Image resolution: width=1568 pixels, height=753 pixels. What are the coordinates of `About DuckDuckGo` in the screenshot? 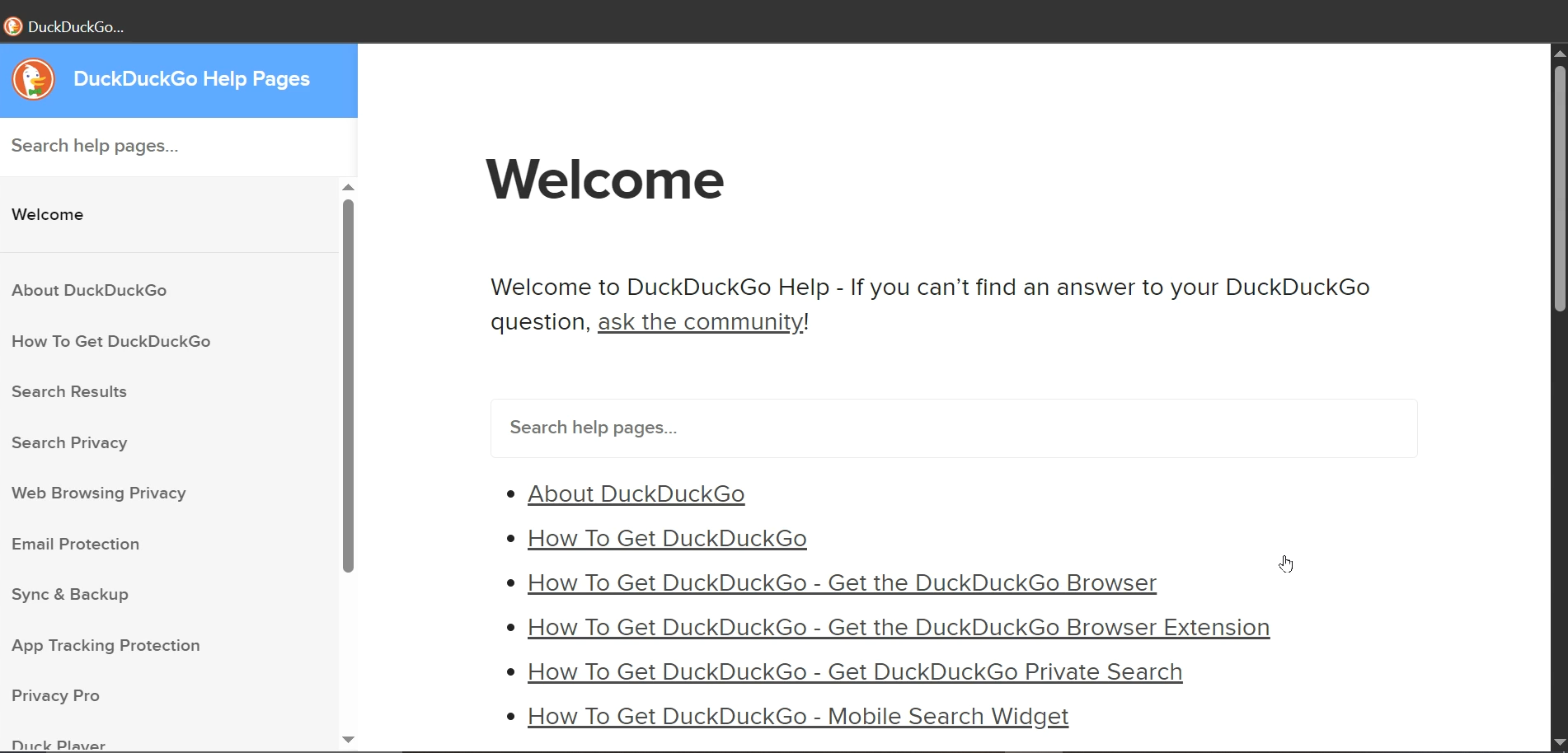 It's located at (93, 290).